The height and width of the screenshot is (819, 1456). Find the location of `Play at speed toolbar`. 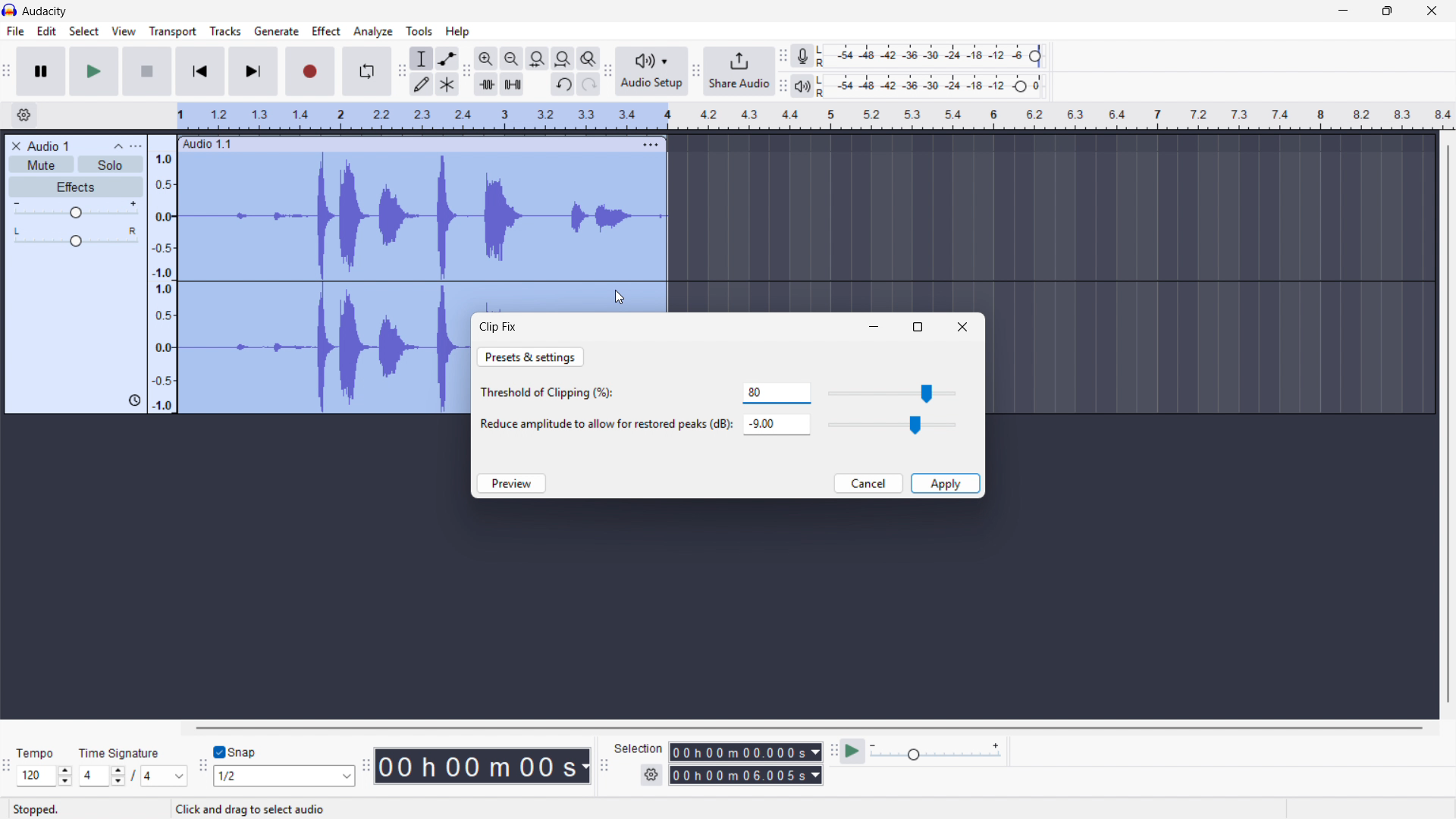

Play at speed toolbar is located at coordinates (831, 752).